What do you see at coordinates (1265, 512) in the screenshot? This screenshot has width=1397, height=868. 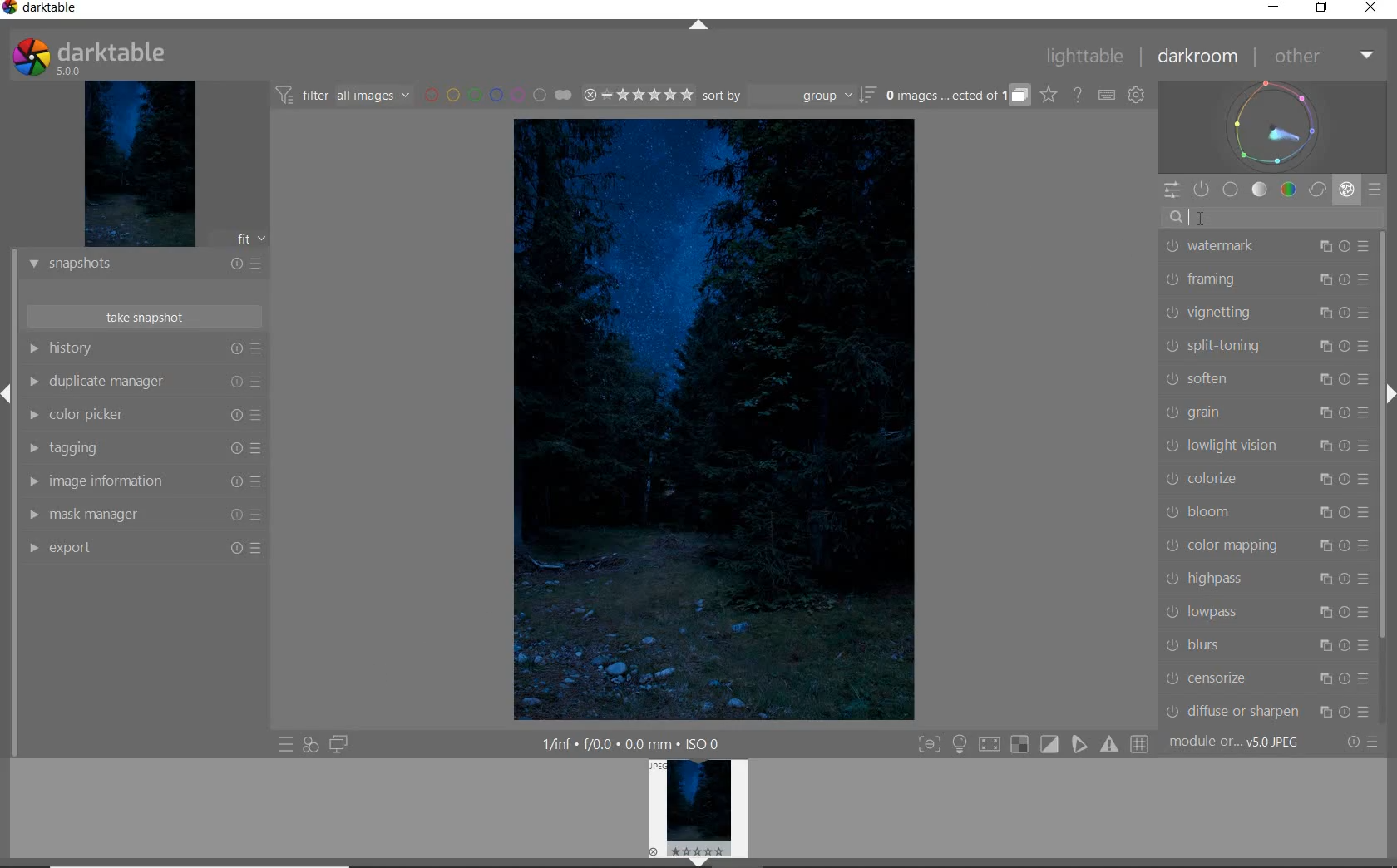 I see `BLOOM` at bounding box center [1265, 512].